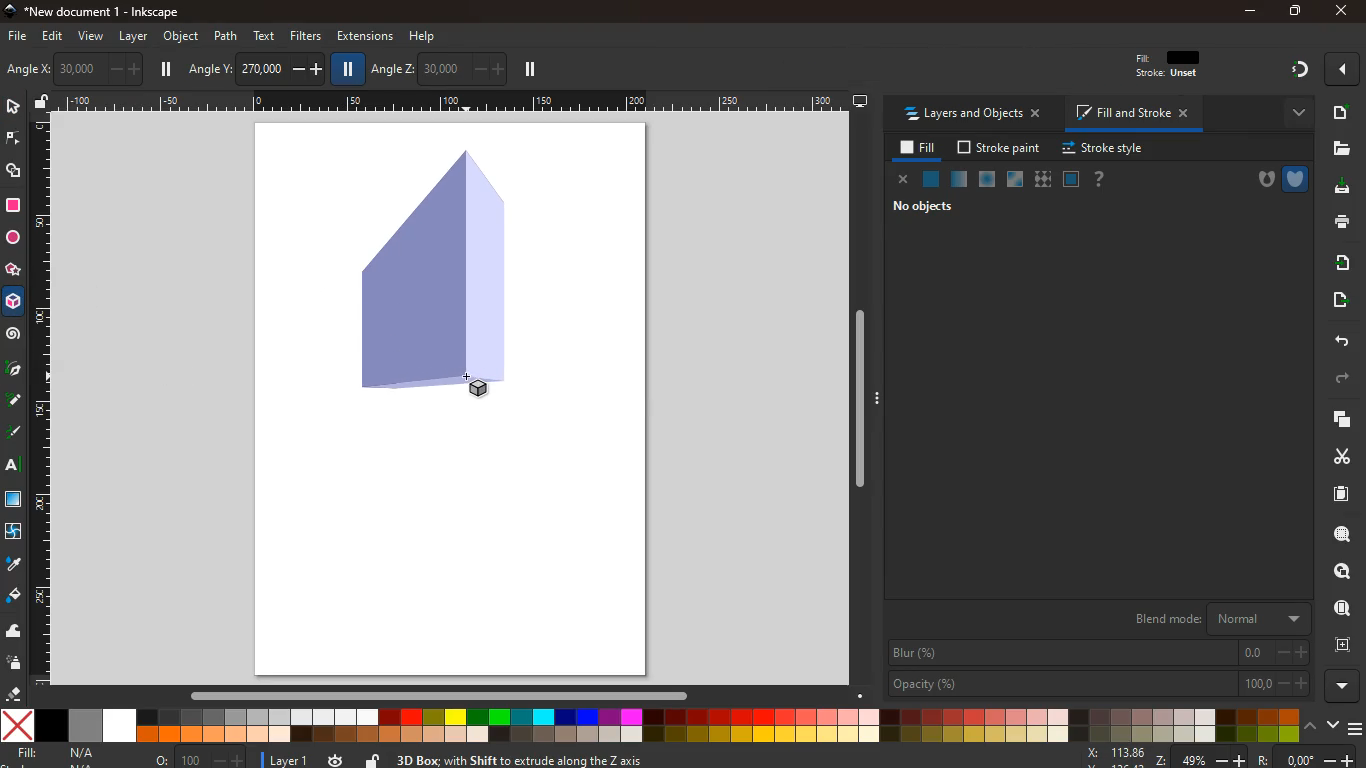  What do you see at coordinates (978, 115) in the screenshot?
I see `layers and objects` at bounding box center [978, 115].